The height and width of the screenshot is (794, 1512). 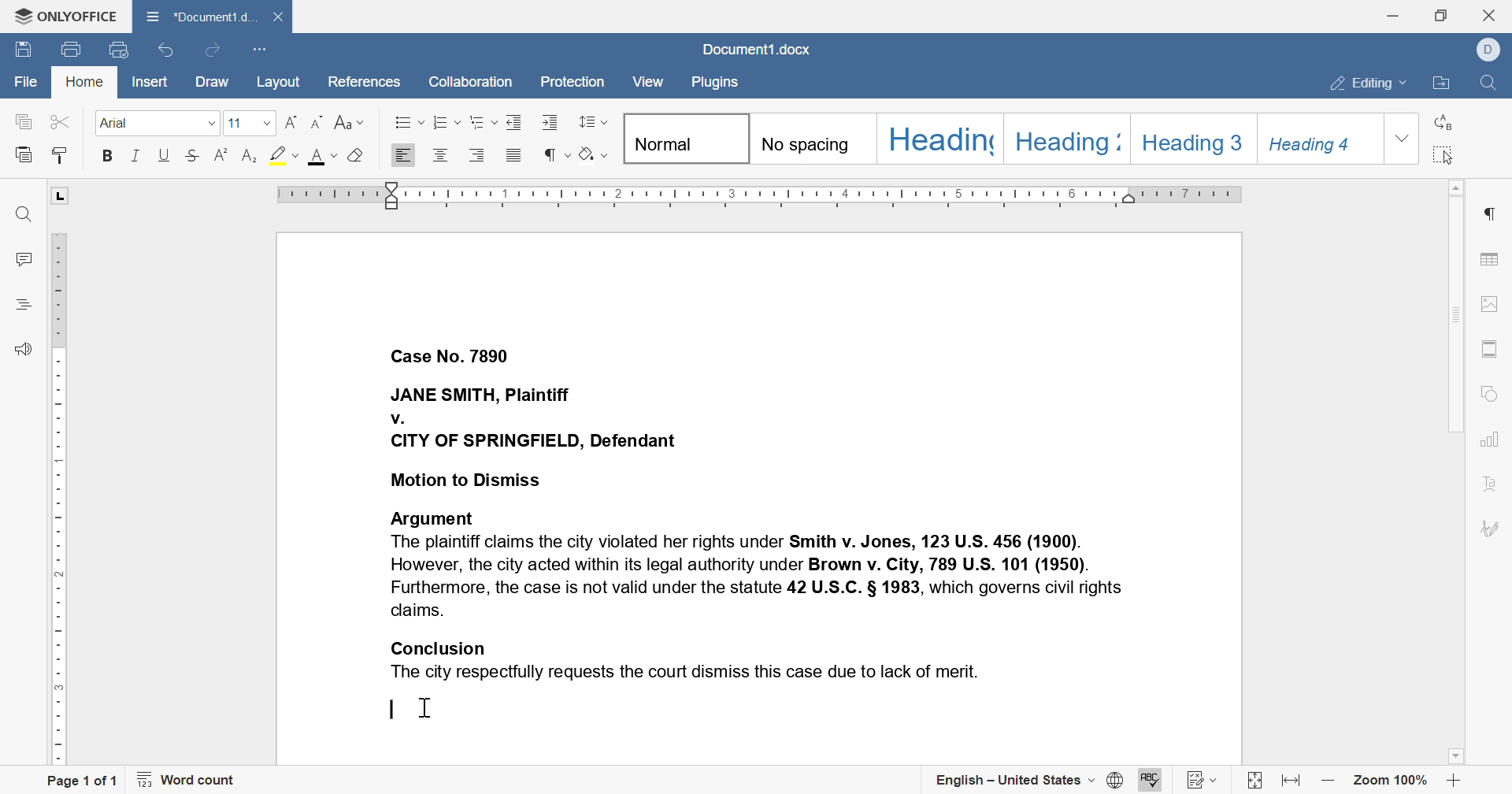 I want to click on nonprinting characters, so click(x=557, y=153).